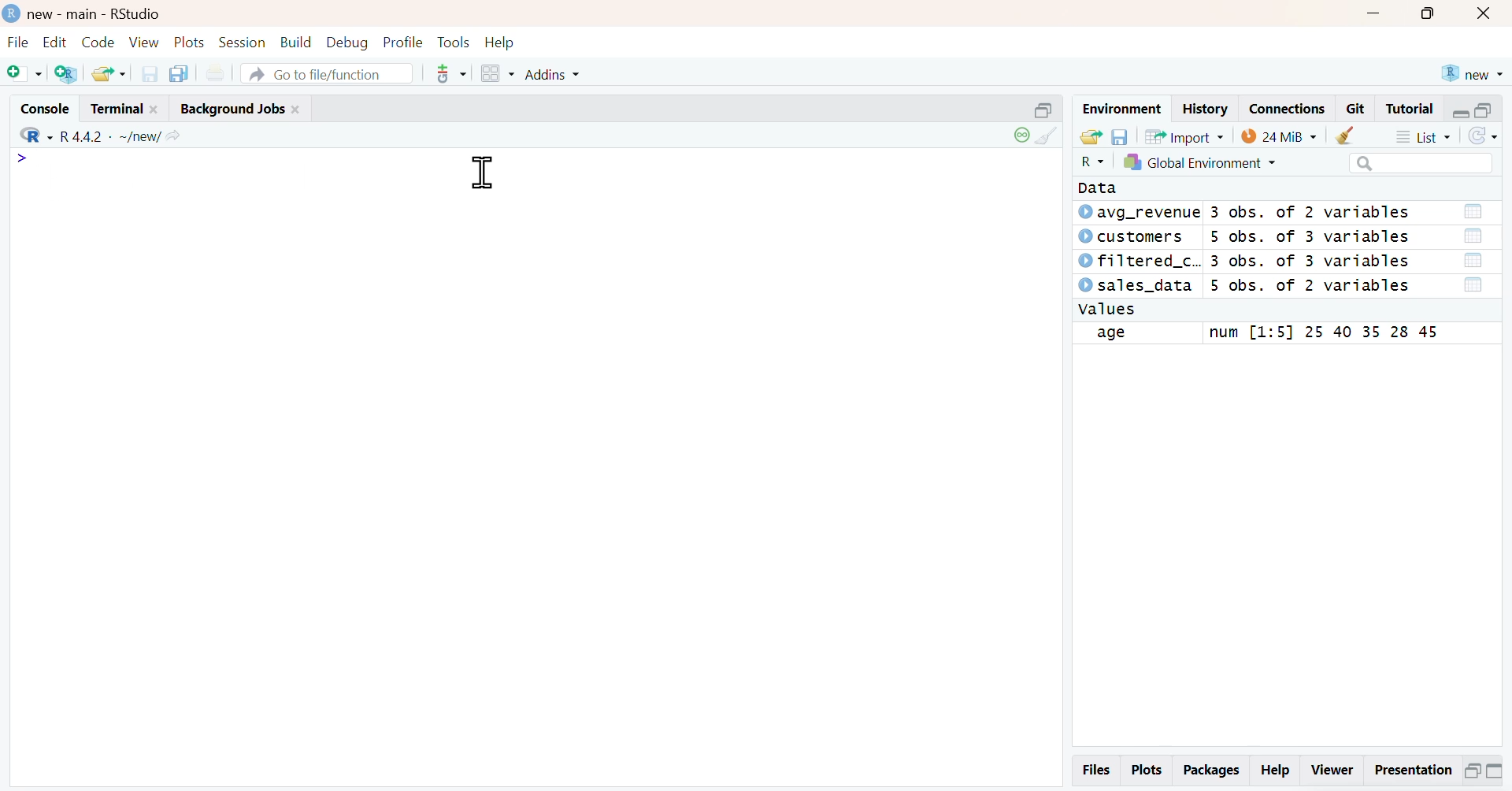 This screenshot has width=1512, height=791. What do you see at coordinates (535, 395) in the screenshot?
I see `Console pane` at bounding box center [535, 395].